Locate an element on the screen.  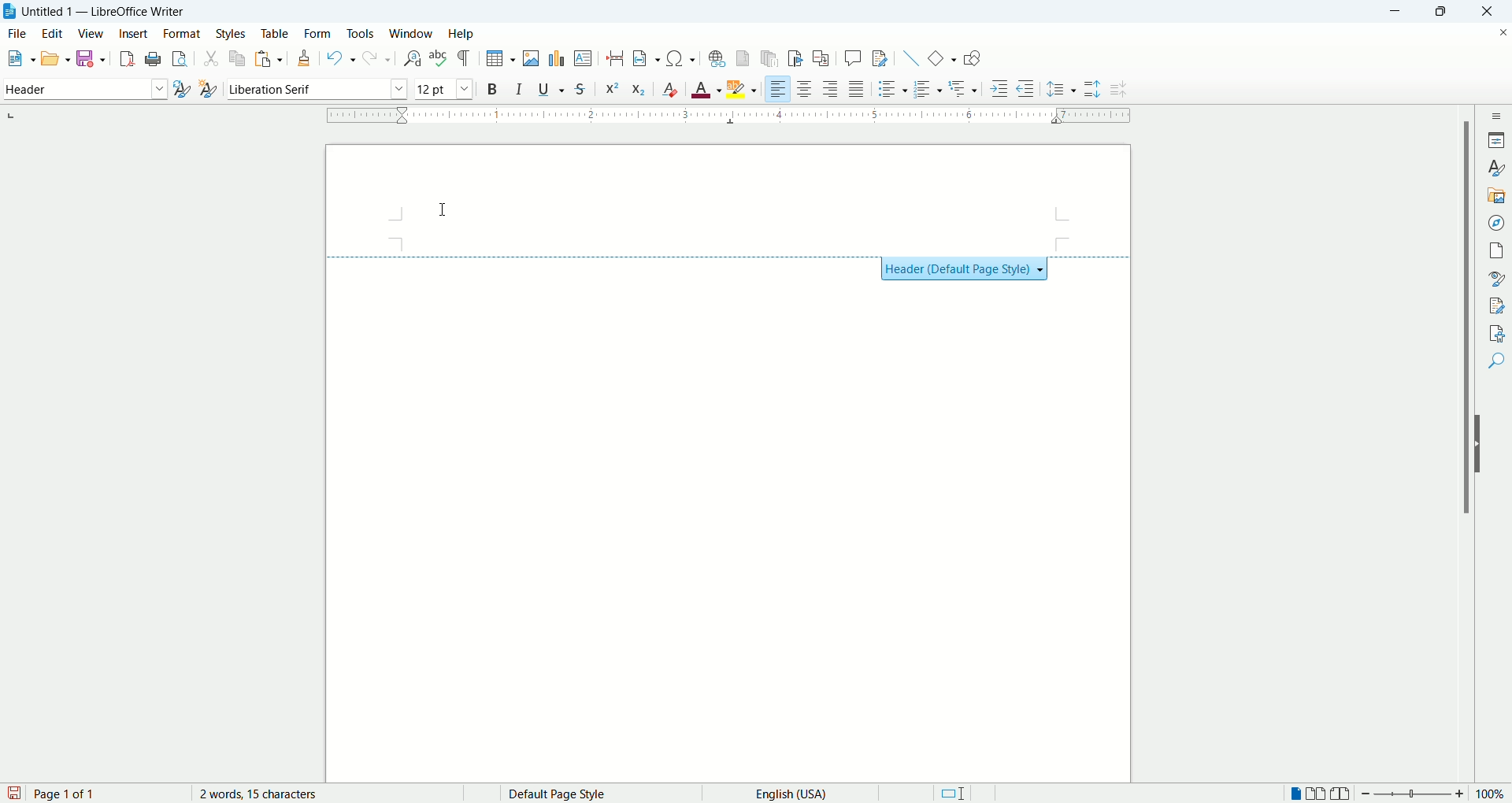
track changes is located at coordinates (879, 59).